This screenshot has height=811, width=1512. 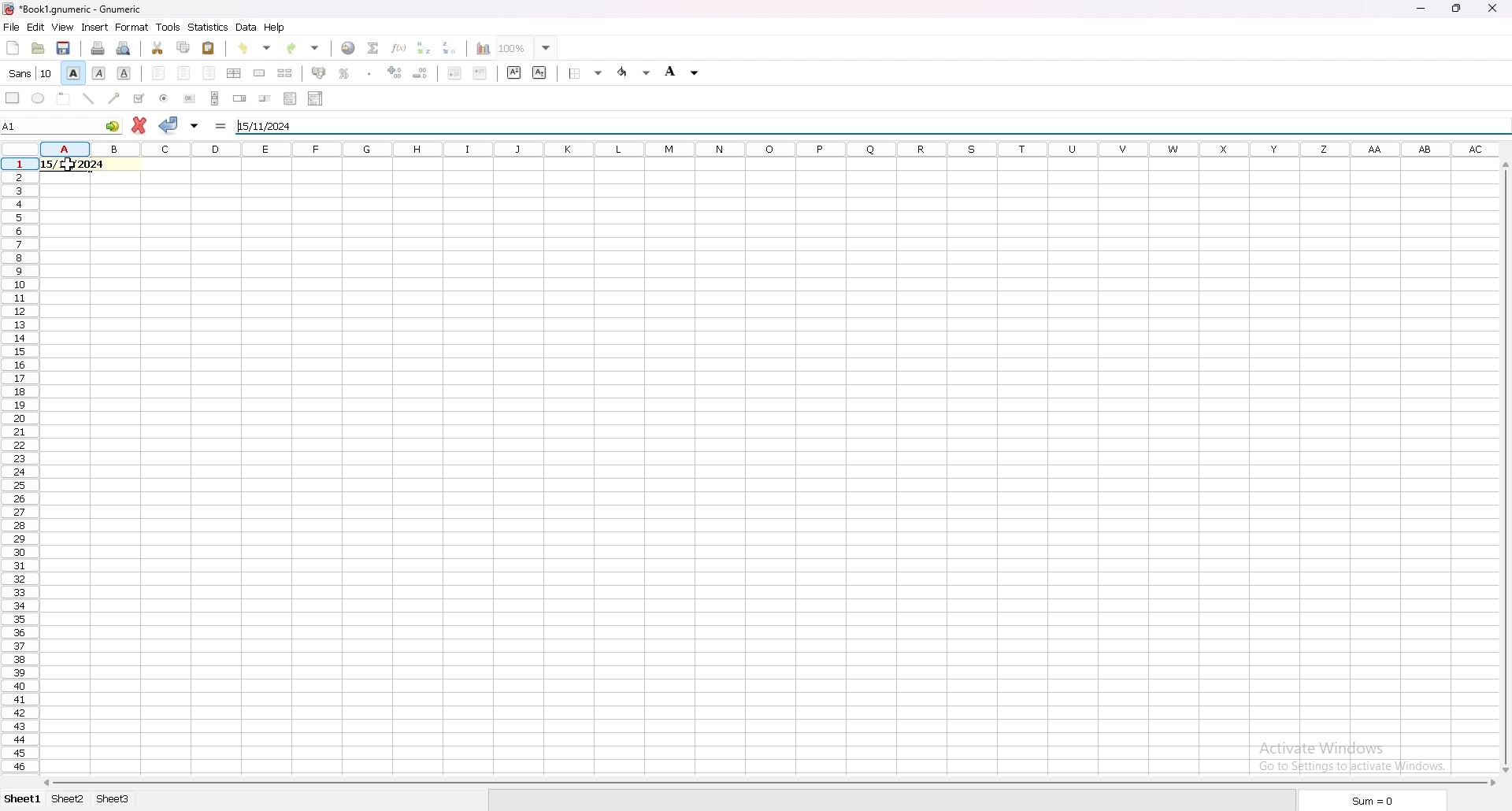 I want to click on list, so click(x=290, y=98).